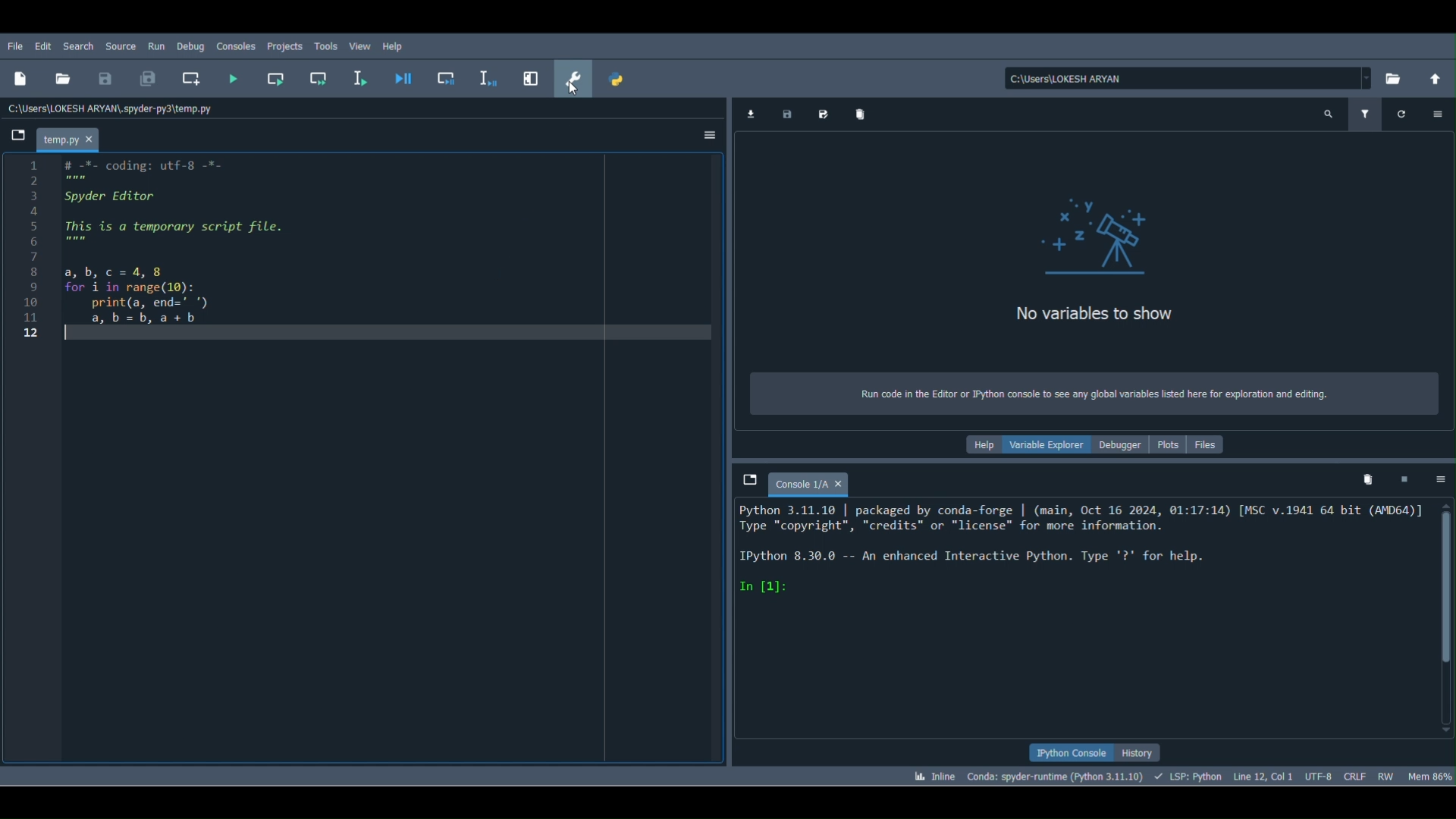 This screenshot has width=1456, height=819. Describe the element at coordinates (1442, 613) in the screenshot. I see `Scrollbar` at that location.